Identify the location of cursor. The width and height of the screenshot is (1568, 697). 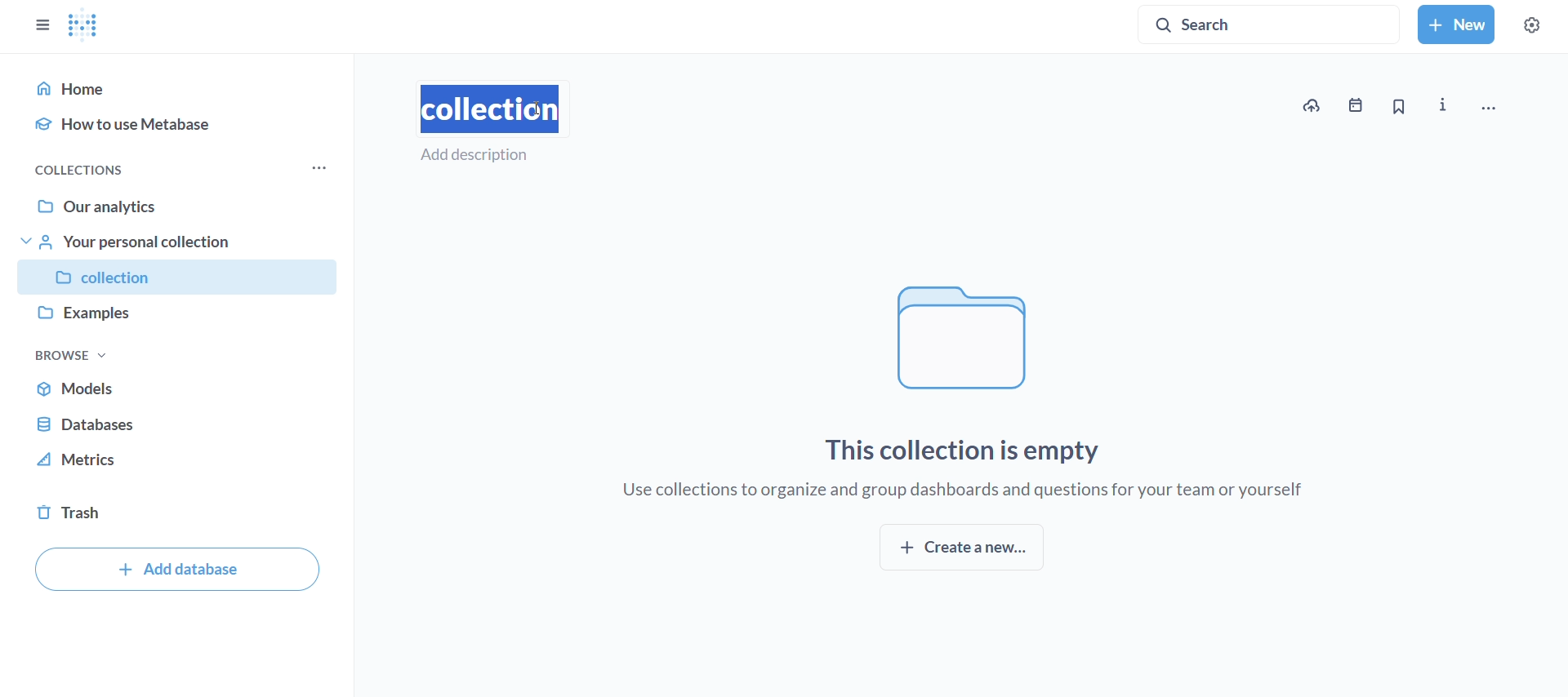
(535, 106).